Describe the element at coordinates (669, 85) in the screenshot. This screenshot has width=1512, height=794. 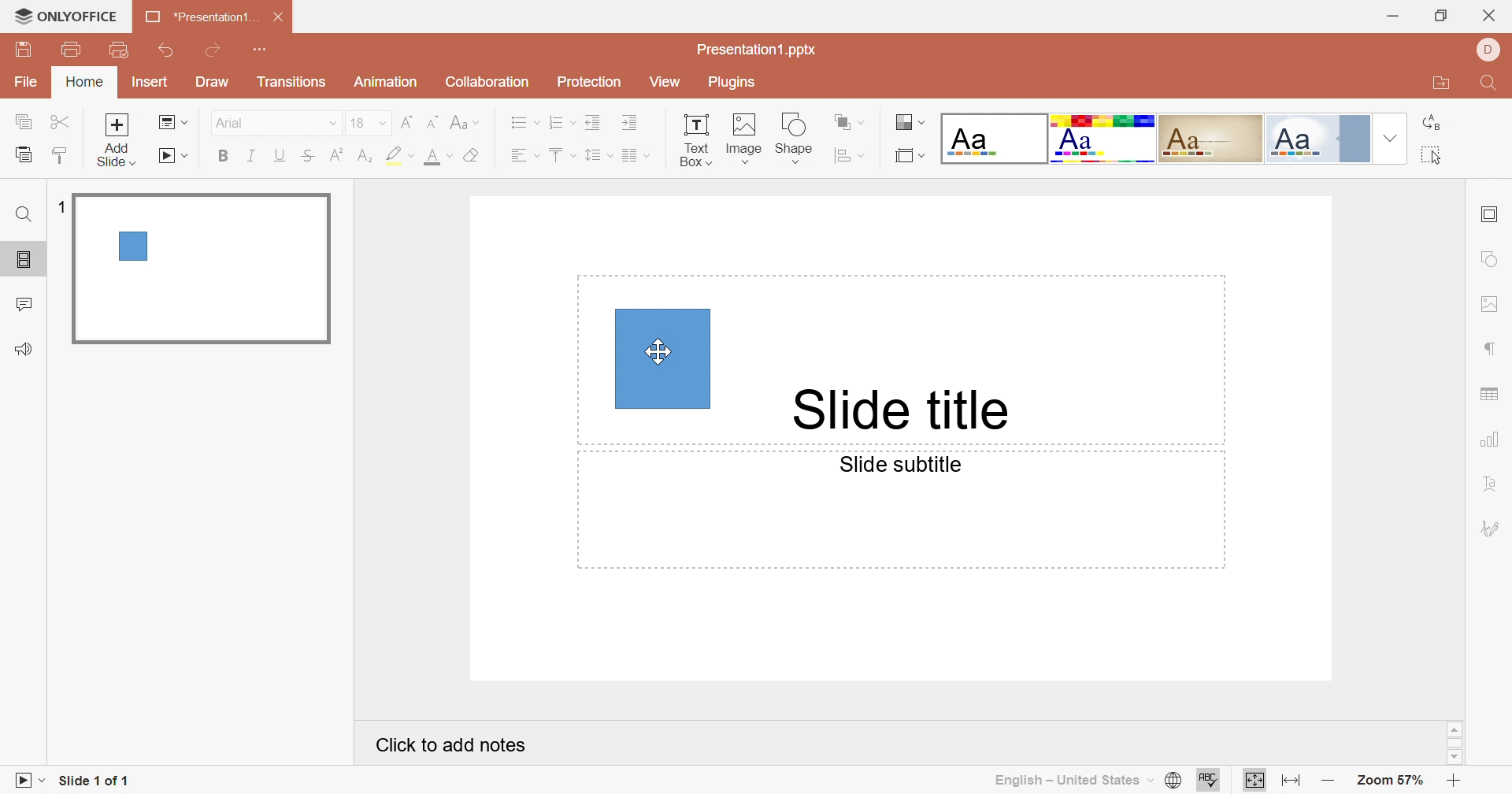
I see `View` at that location.